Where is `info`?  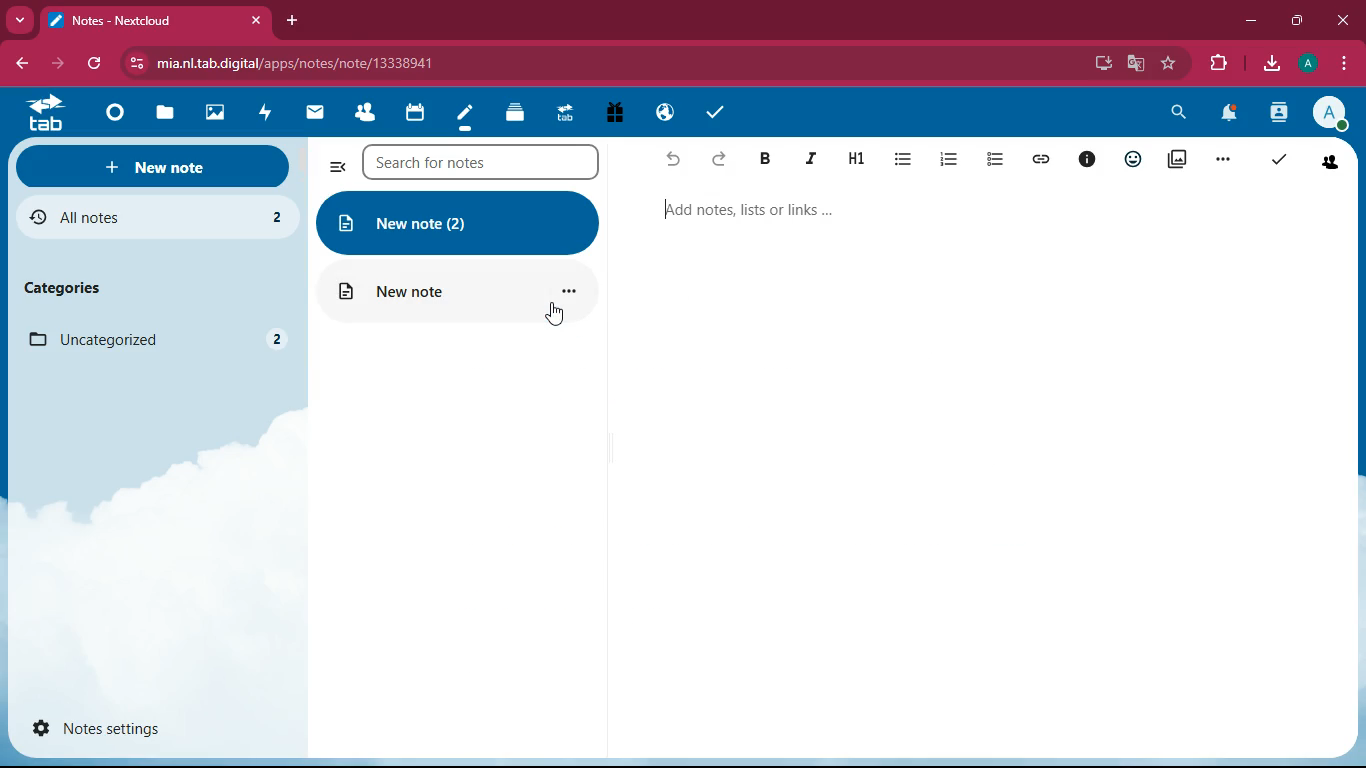 info is located at coordinates (1089, 159).